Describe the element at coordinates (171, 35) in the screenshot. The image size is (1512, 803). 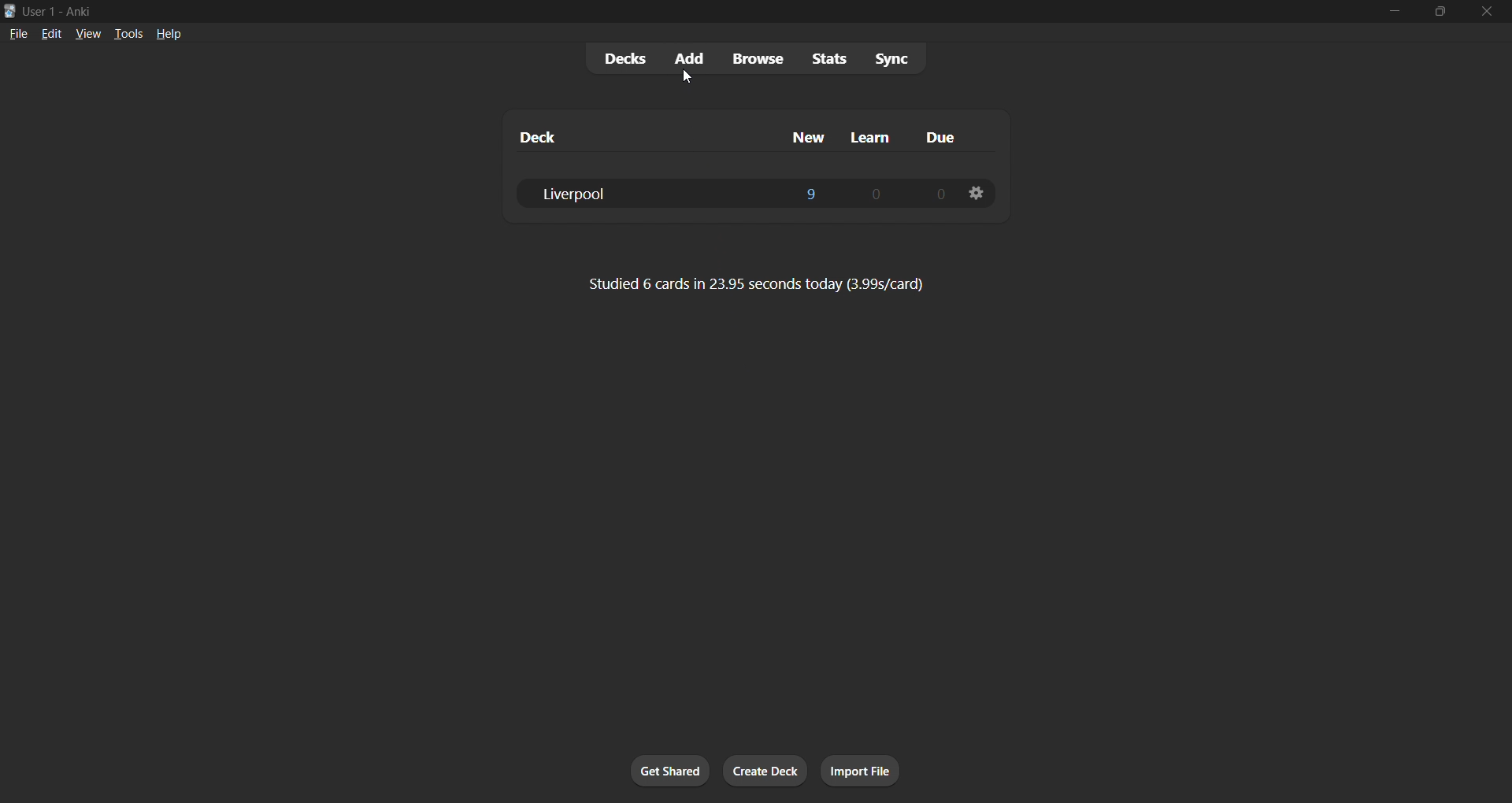
I see `help` at that location.